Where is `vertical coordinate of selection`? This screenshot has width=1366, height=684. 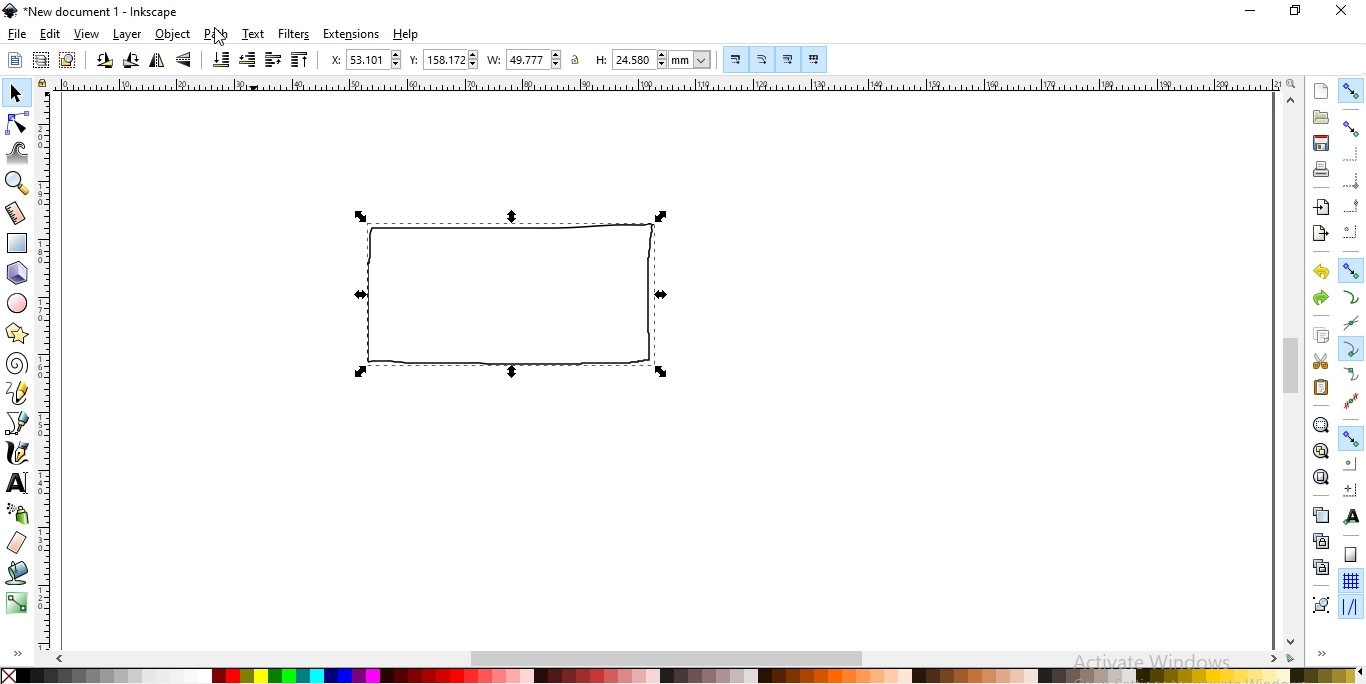 vertical coordinate of selection is located at coordinates (443, 58).